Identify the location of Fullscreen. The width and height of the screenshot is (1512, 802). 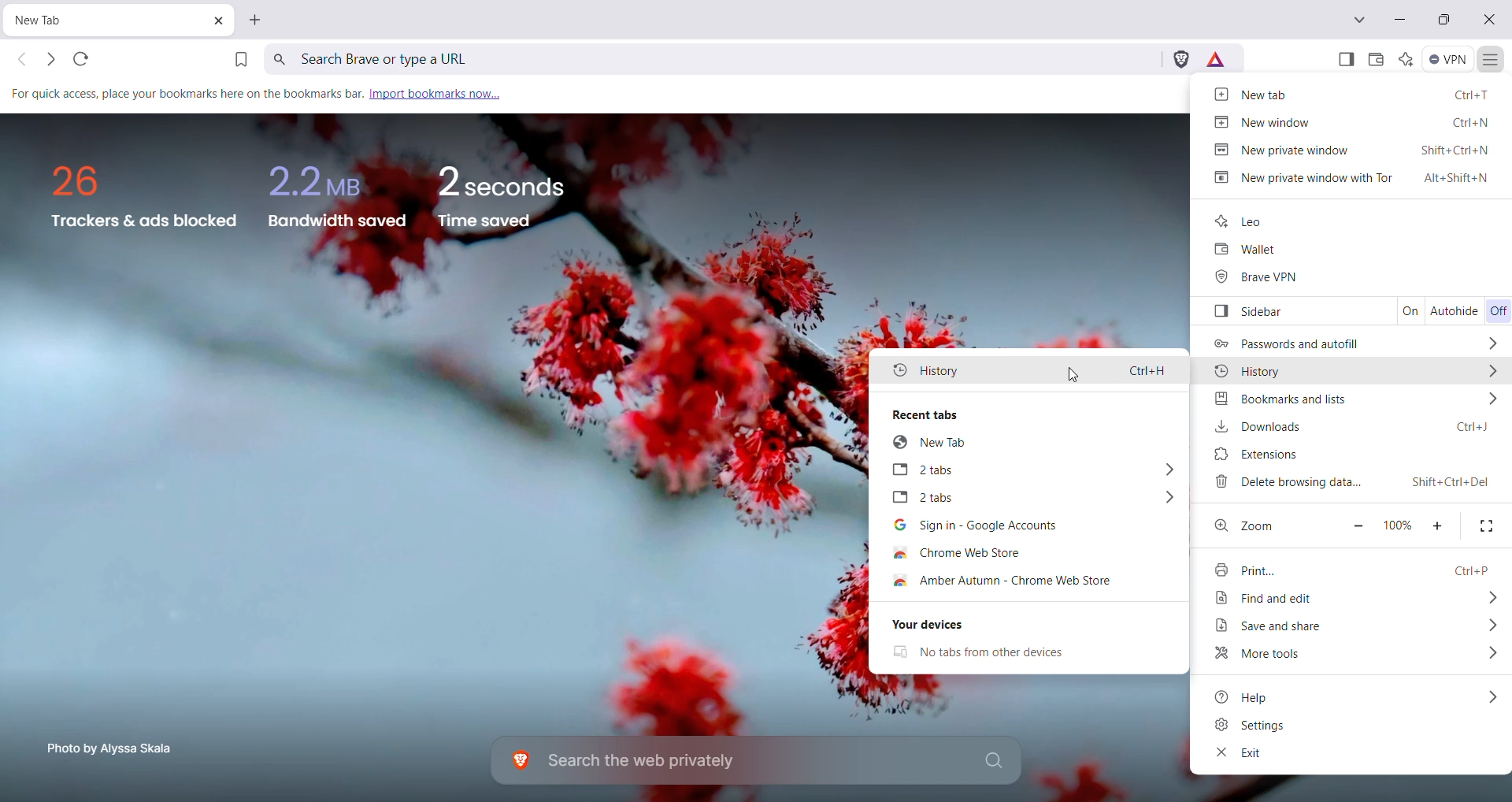
(1487, 525).